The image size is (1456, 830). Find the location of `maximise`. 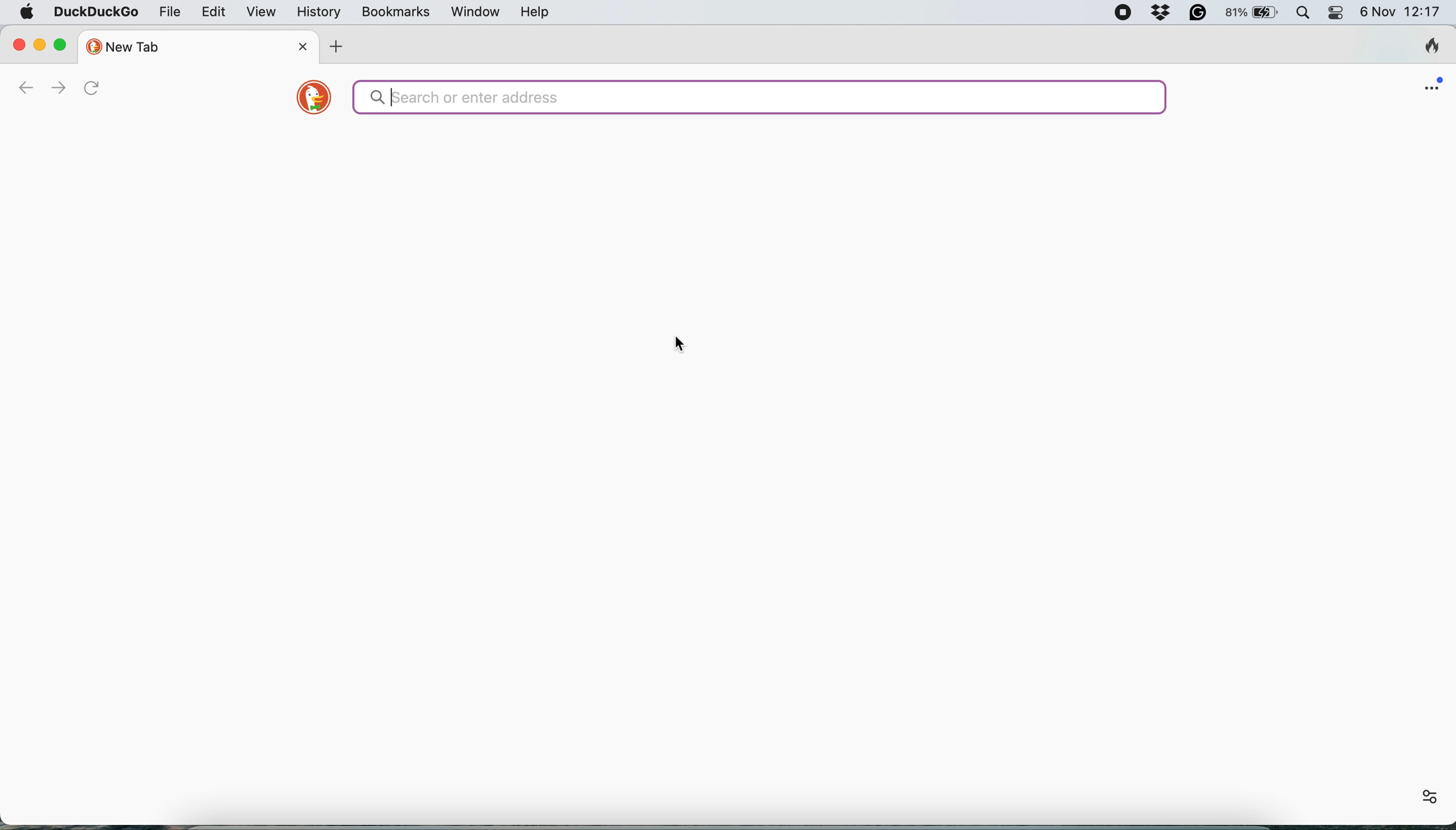

maximise is located at coordinates (62, 44).